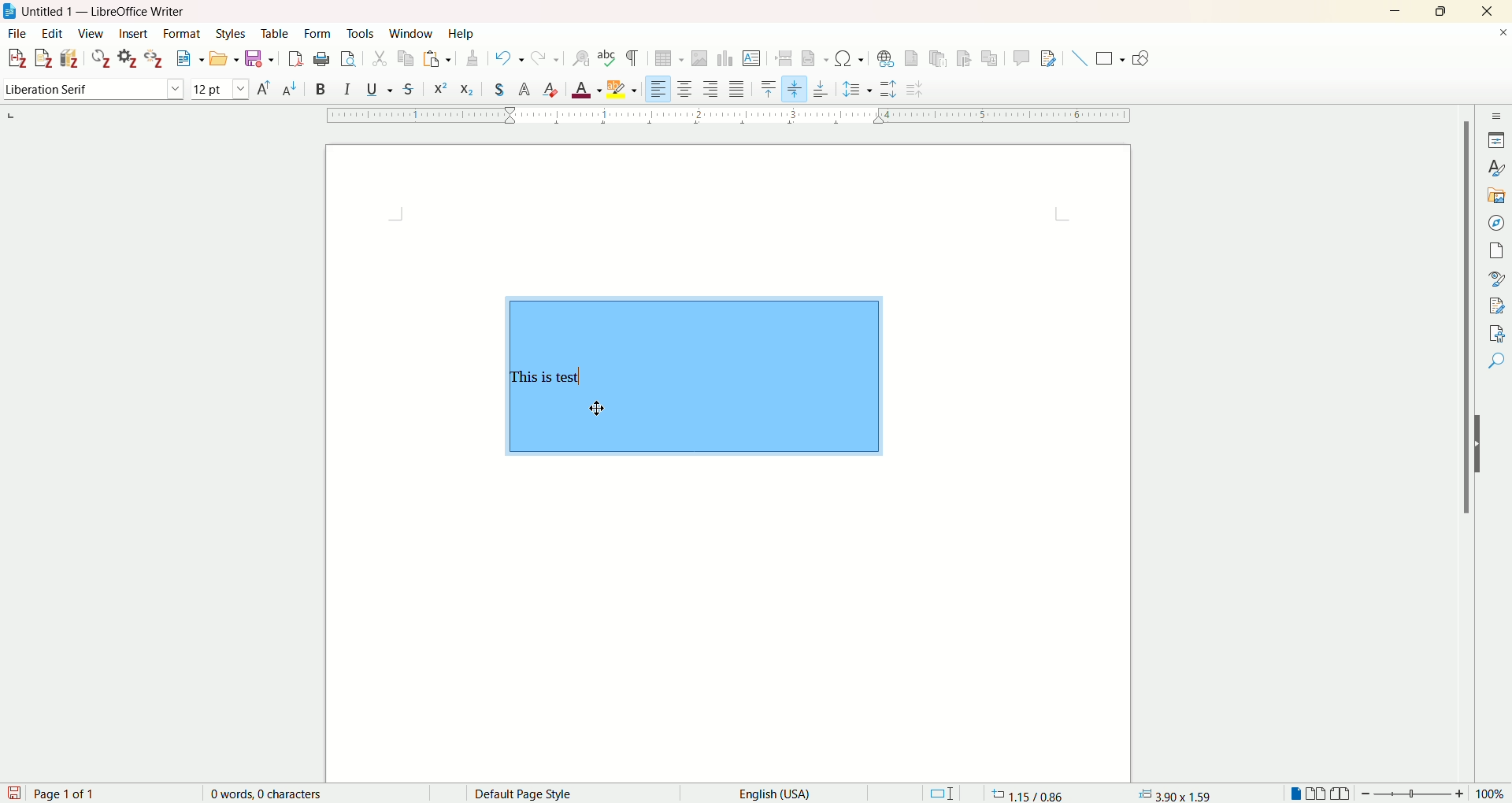  Describe the element at coordinates (1495, 31) in the screenshot. I see `close document` at that location.